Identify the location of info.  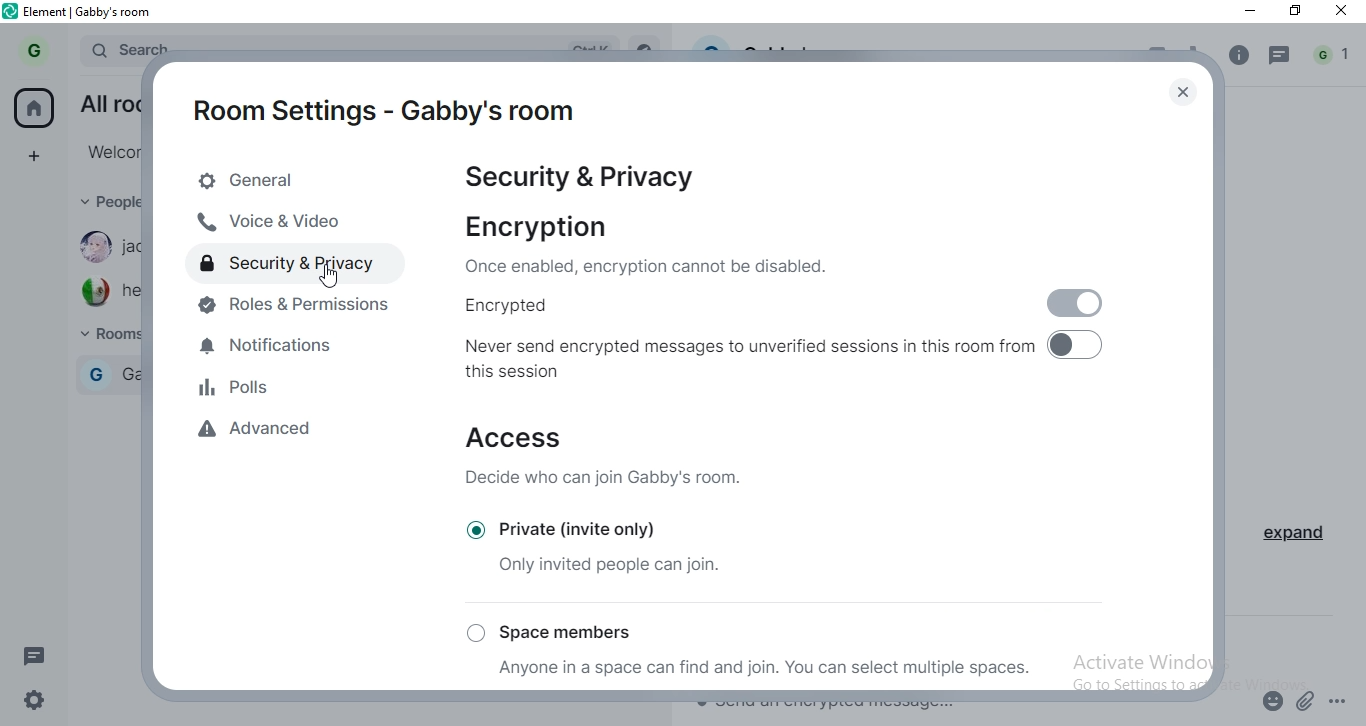
(1237, 56).